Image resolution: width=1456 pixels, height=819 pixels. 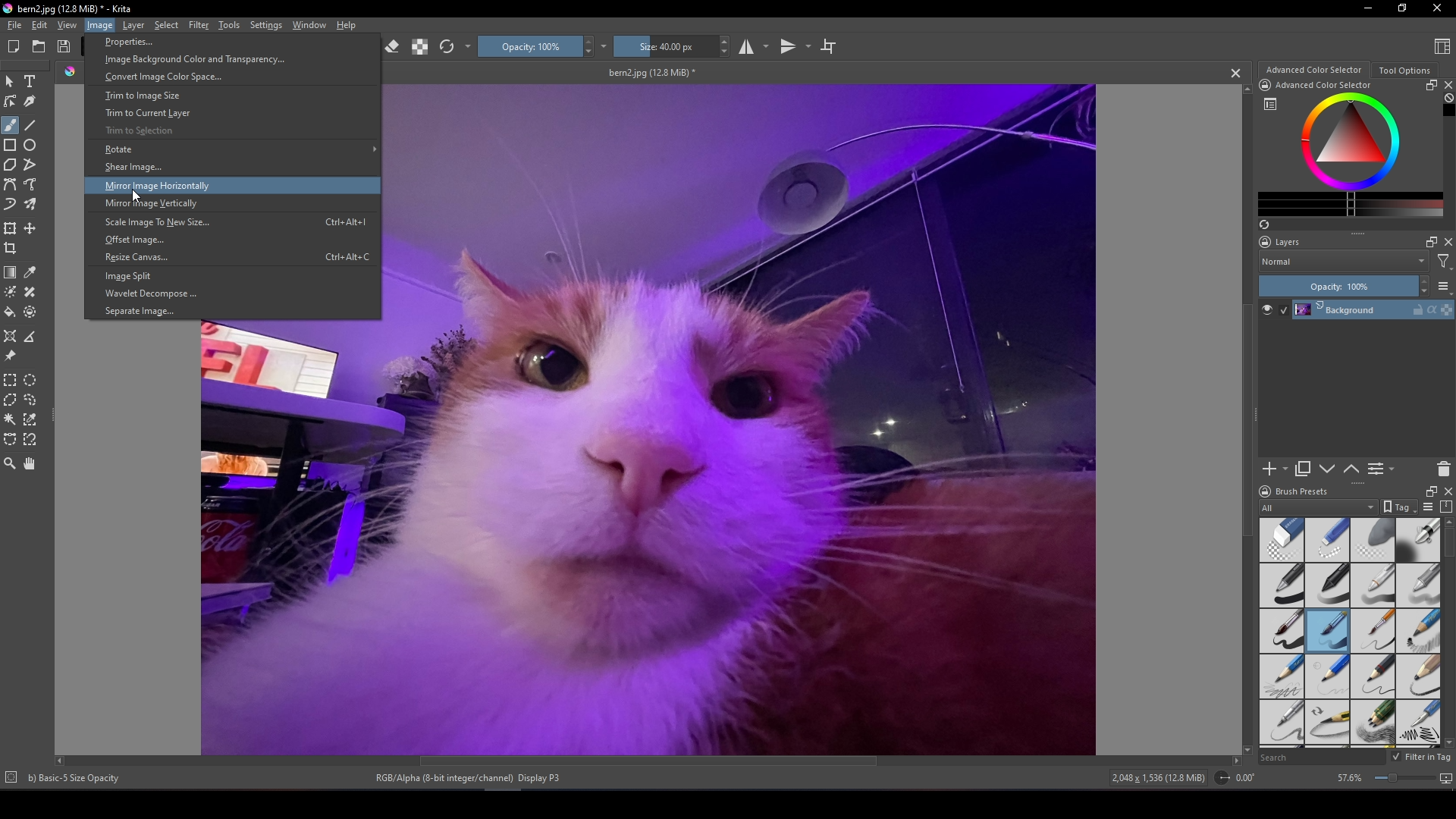 What do you see at coordinates (11, 184) in the screenshot?
I see `Bezier line tool` at bounding box center [11, 184].